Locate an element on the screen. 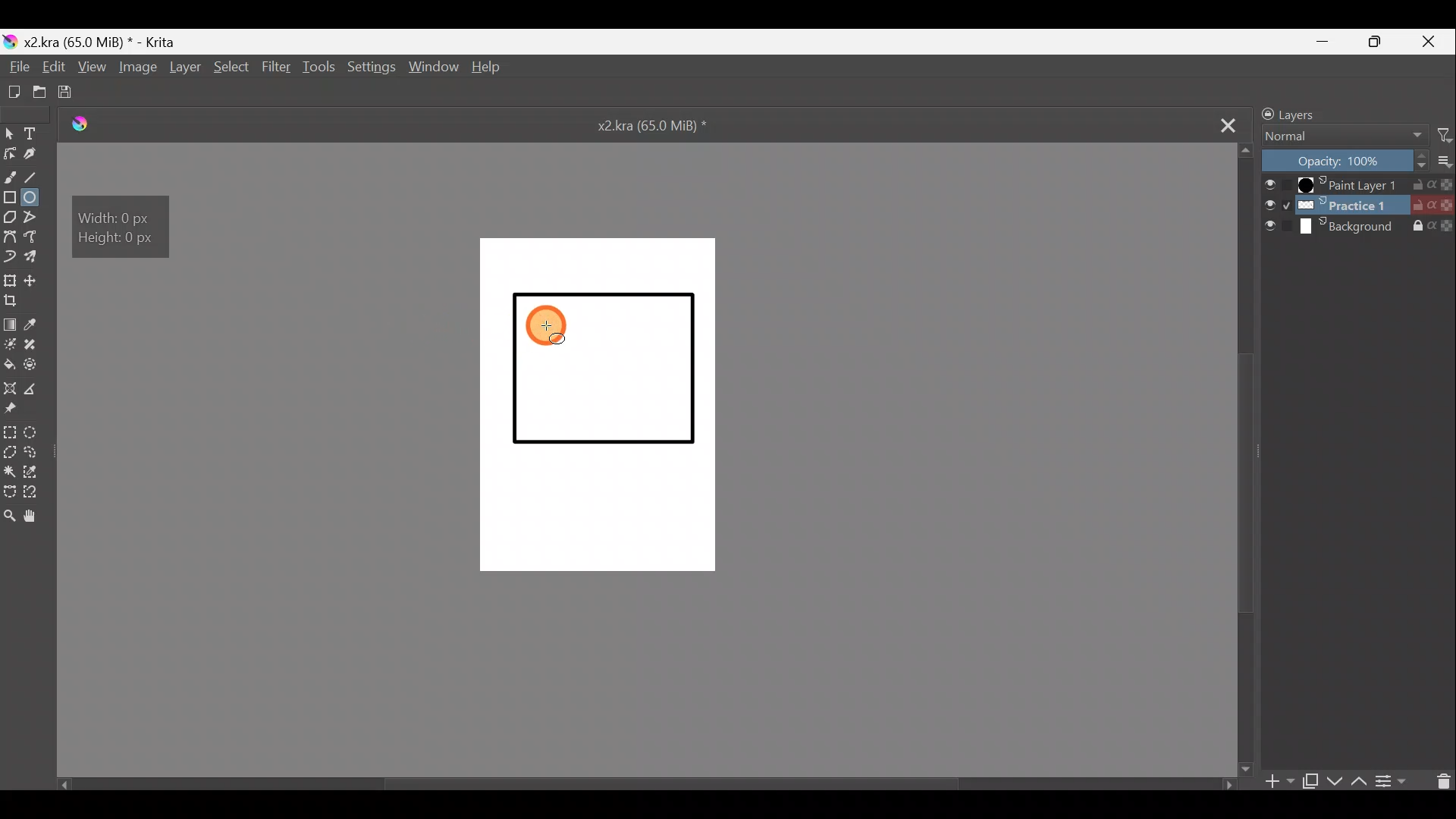 The width and height of the screenshot is (1456, 819). Tools is located at coordinates (322, 68).